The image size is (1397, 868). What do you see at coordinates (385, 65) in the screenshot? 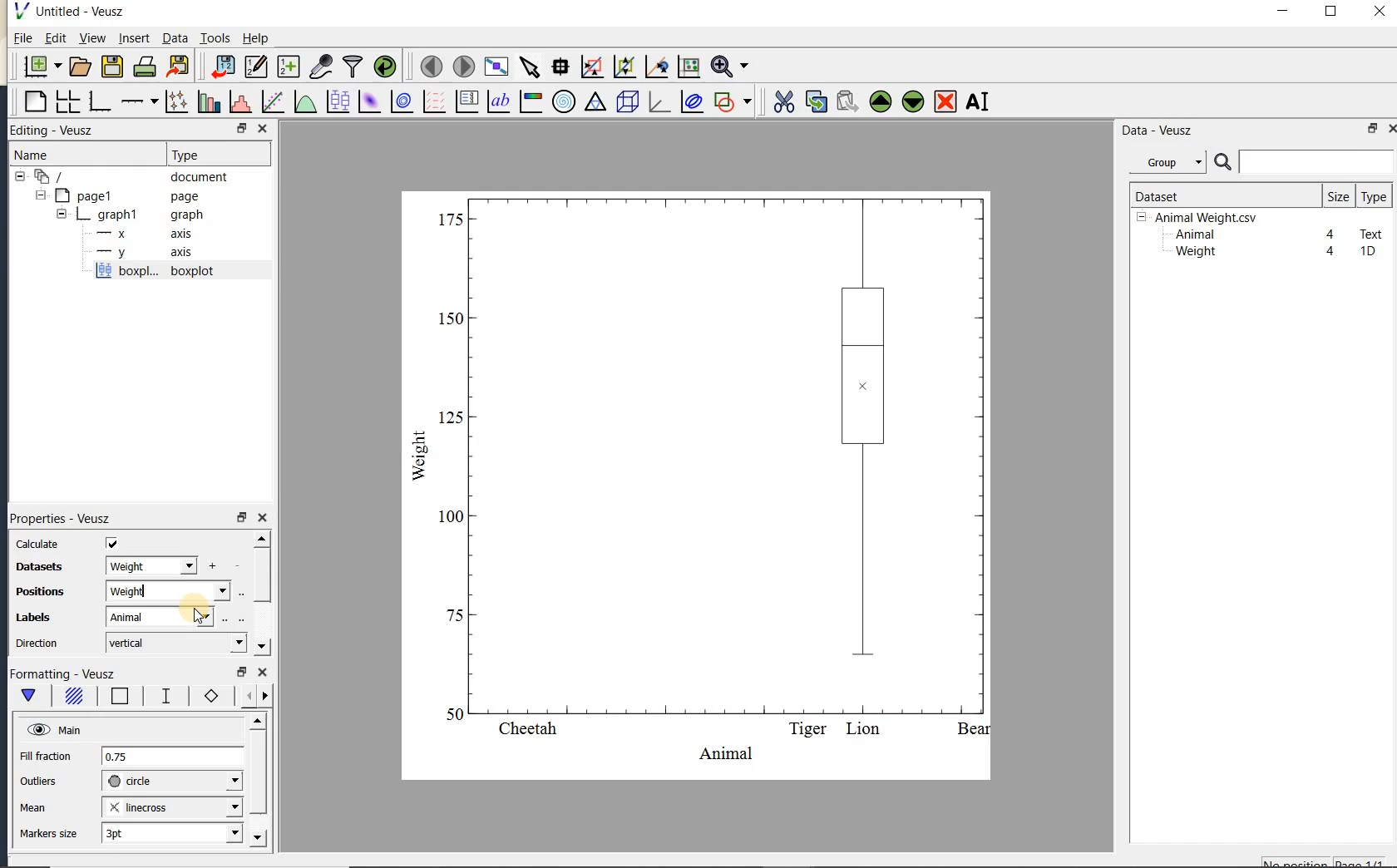
I see `reload linked datasets` at bounding box center [385, 65].